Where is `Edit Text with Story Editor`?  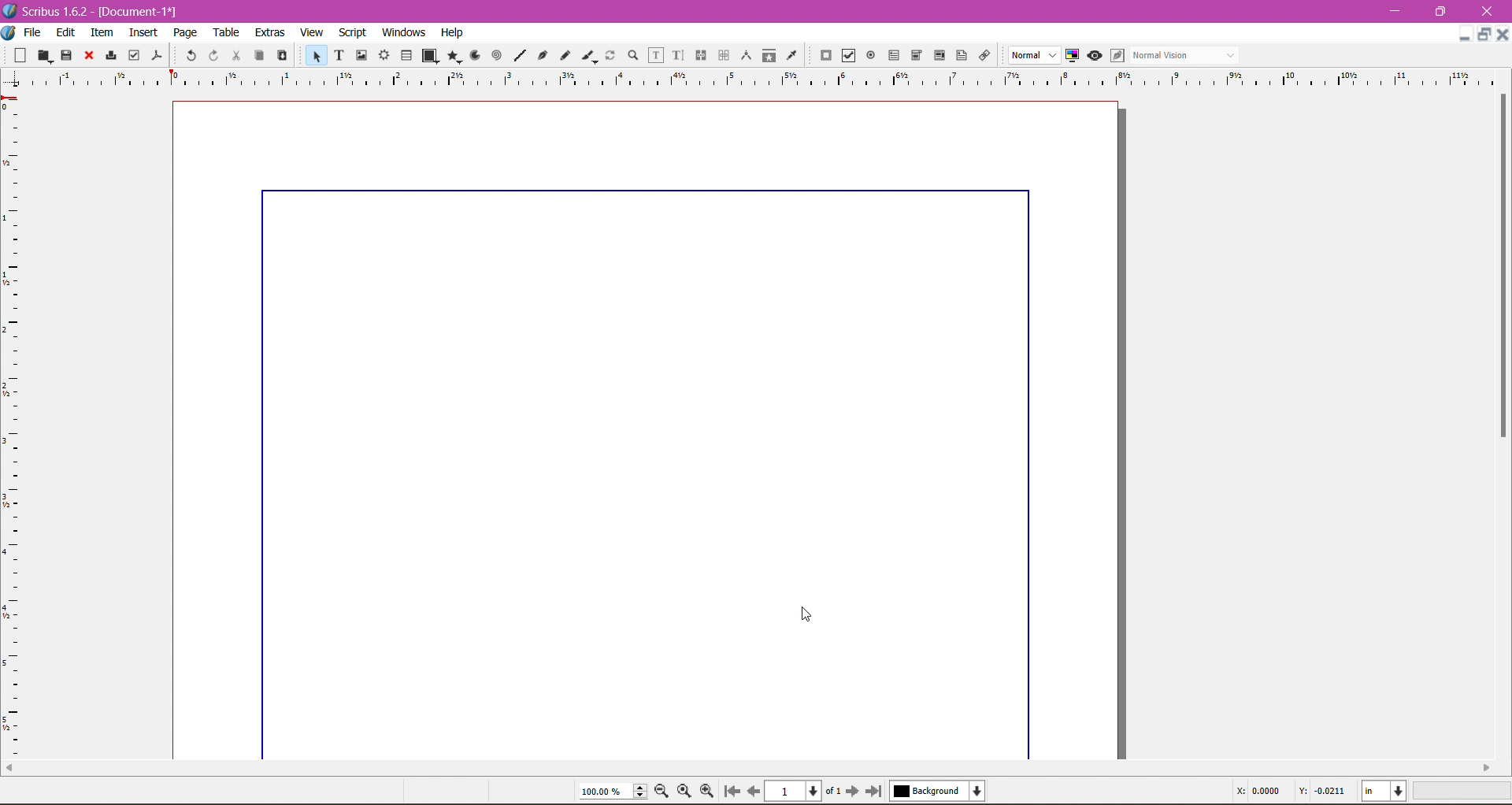 Edit Text with Story Editor is located at coordinates (676, 55).